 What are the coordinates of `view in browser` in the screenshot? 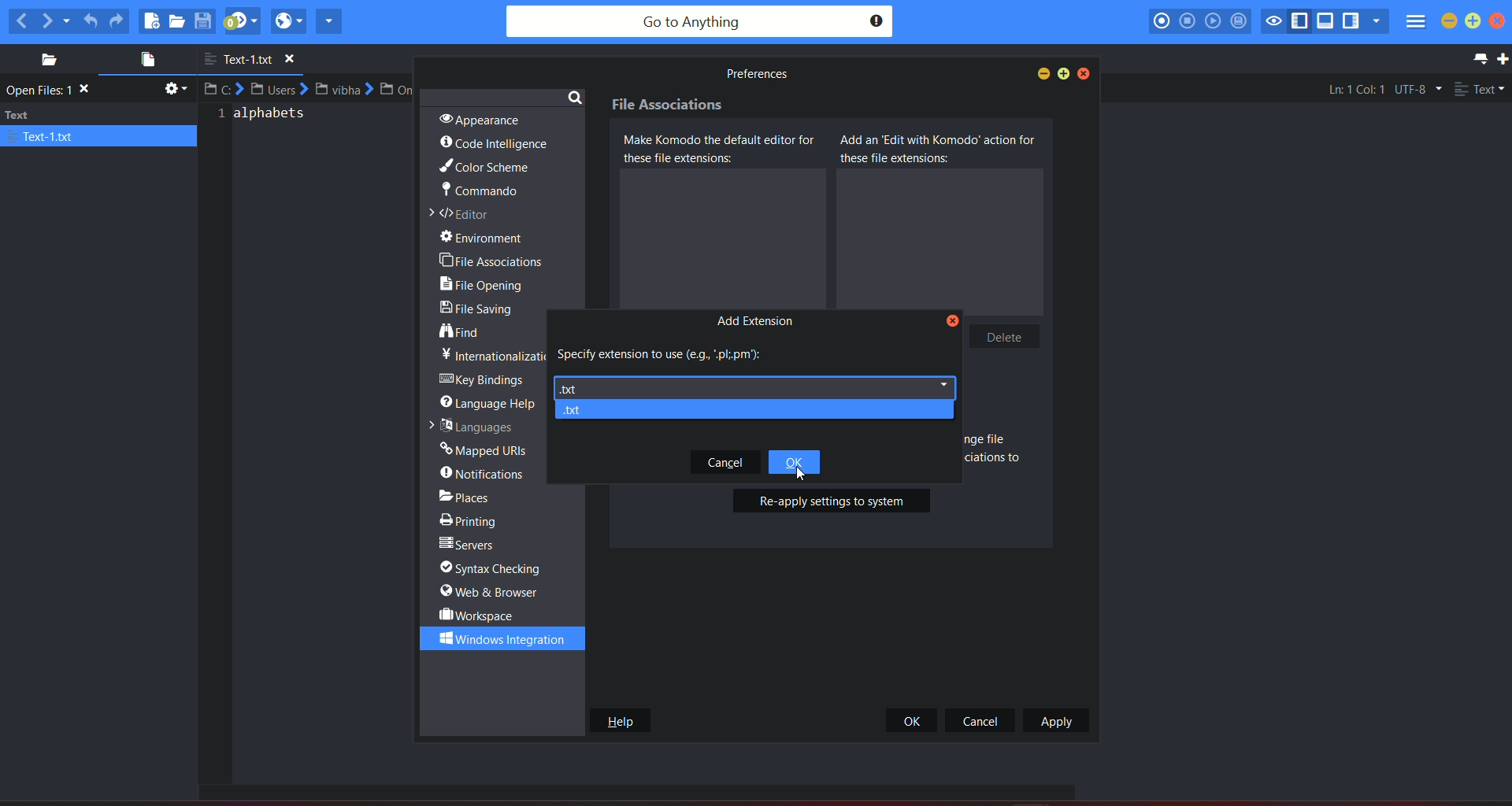 It's located at (288, 20).